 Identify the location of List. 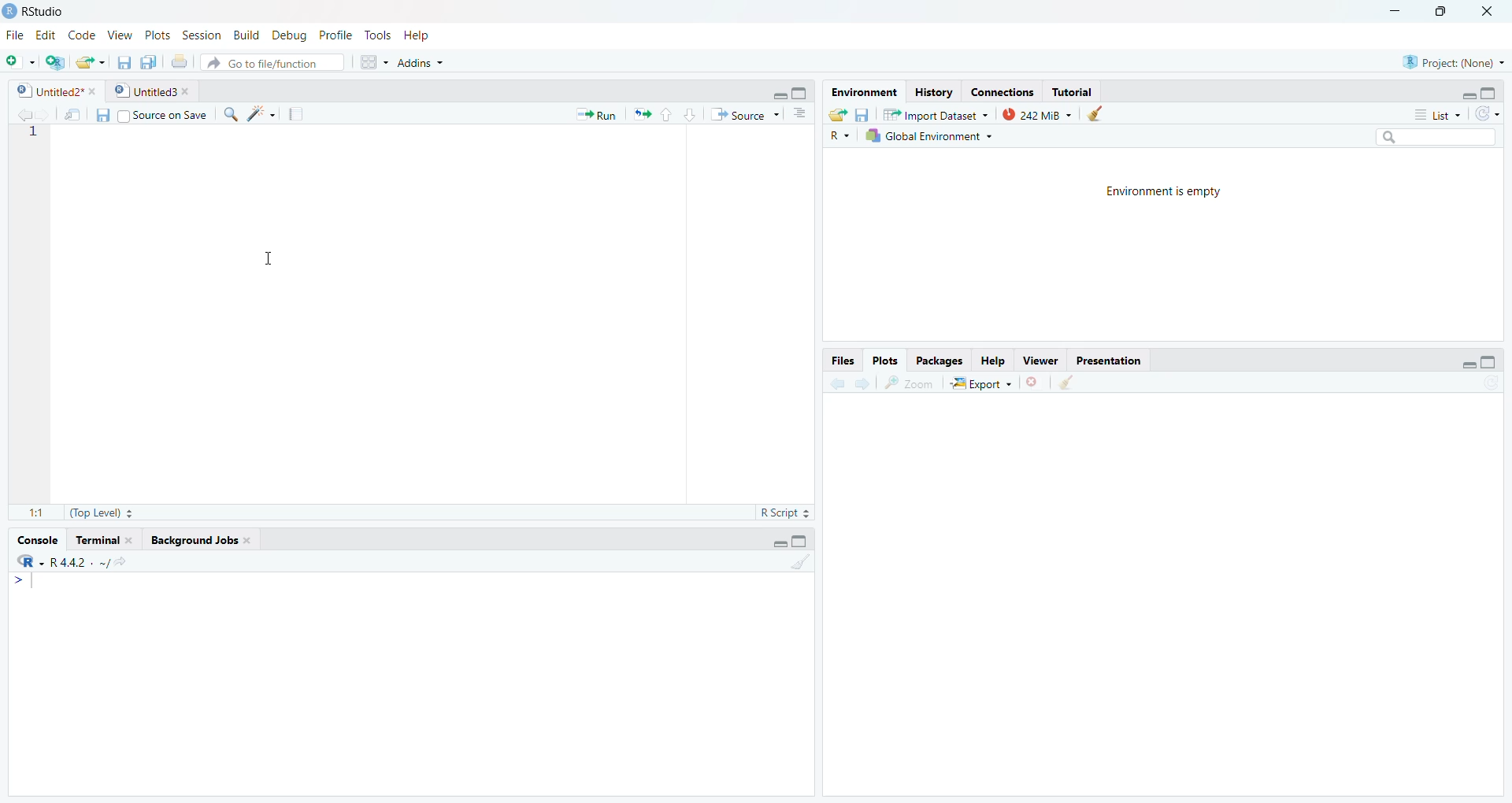
(1440, 115).